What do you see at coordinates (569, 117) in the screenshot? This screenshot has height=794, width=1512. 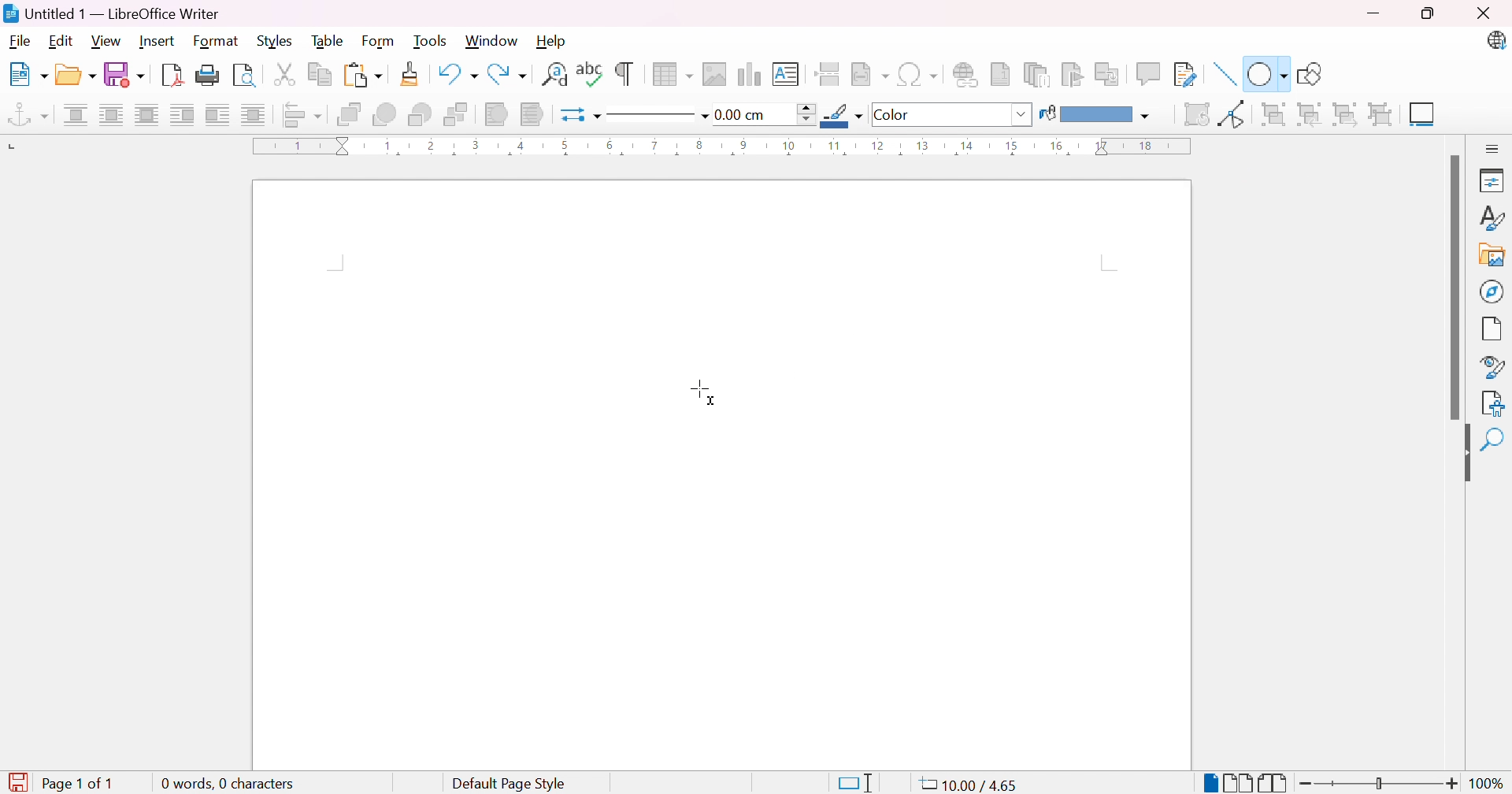 I see `Select start and end arrowheads for lines` at bounding box center [569, 117].